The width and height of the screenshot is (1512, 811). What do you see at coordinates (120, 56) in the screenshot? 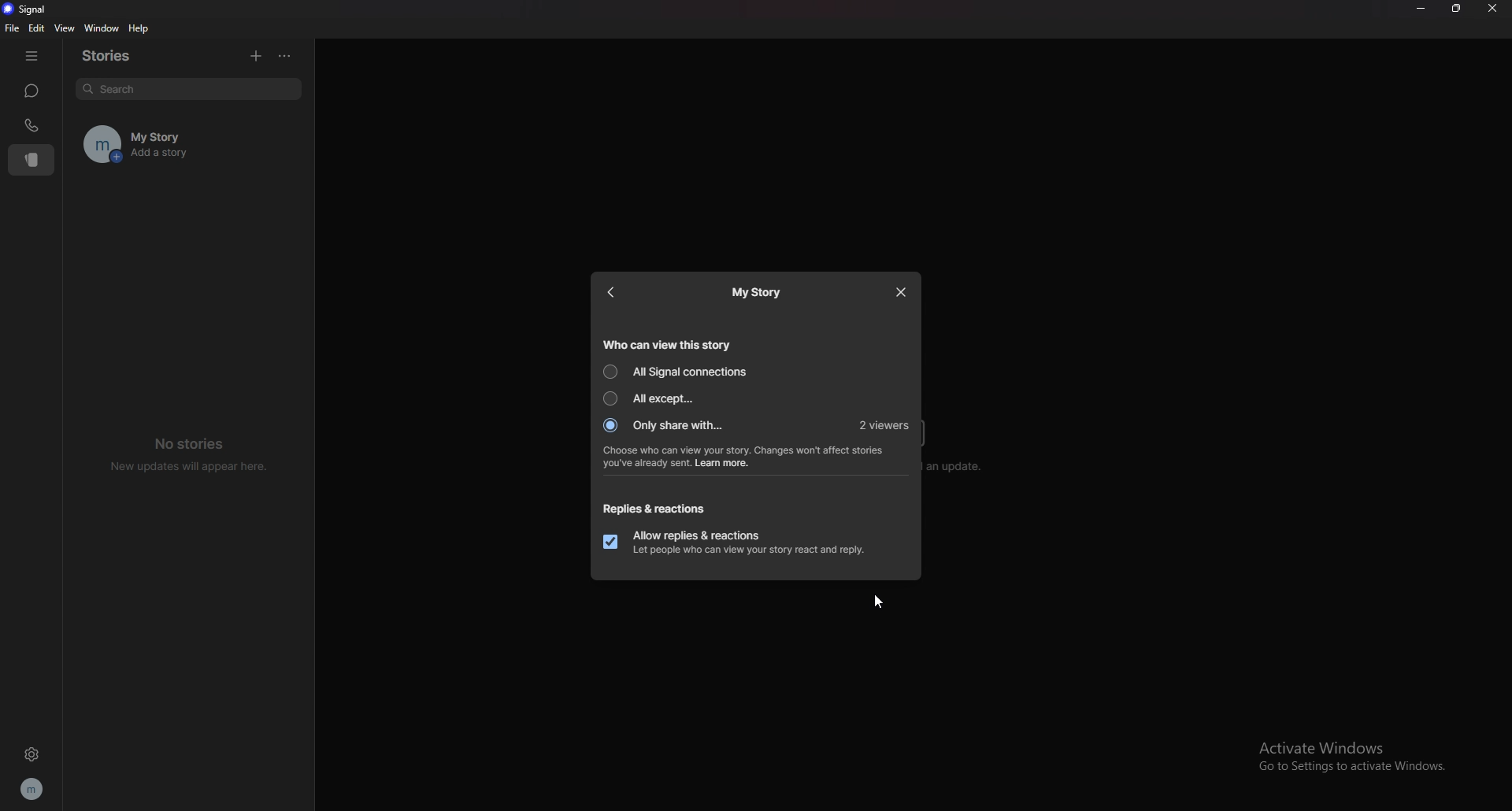
I see `stories` at bounding box center [120, 56].